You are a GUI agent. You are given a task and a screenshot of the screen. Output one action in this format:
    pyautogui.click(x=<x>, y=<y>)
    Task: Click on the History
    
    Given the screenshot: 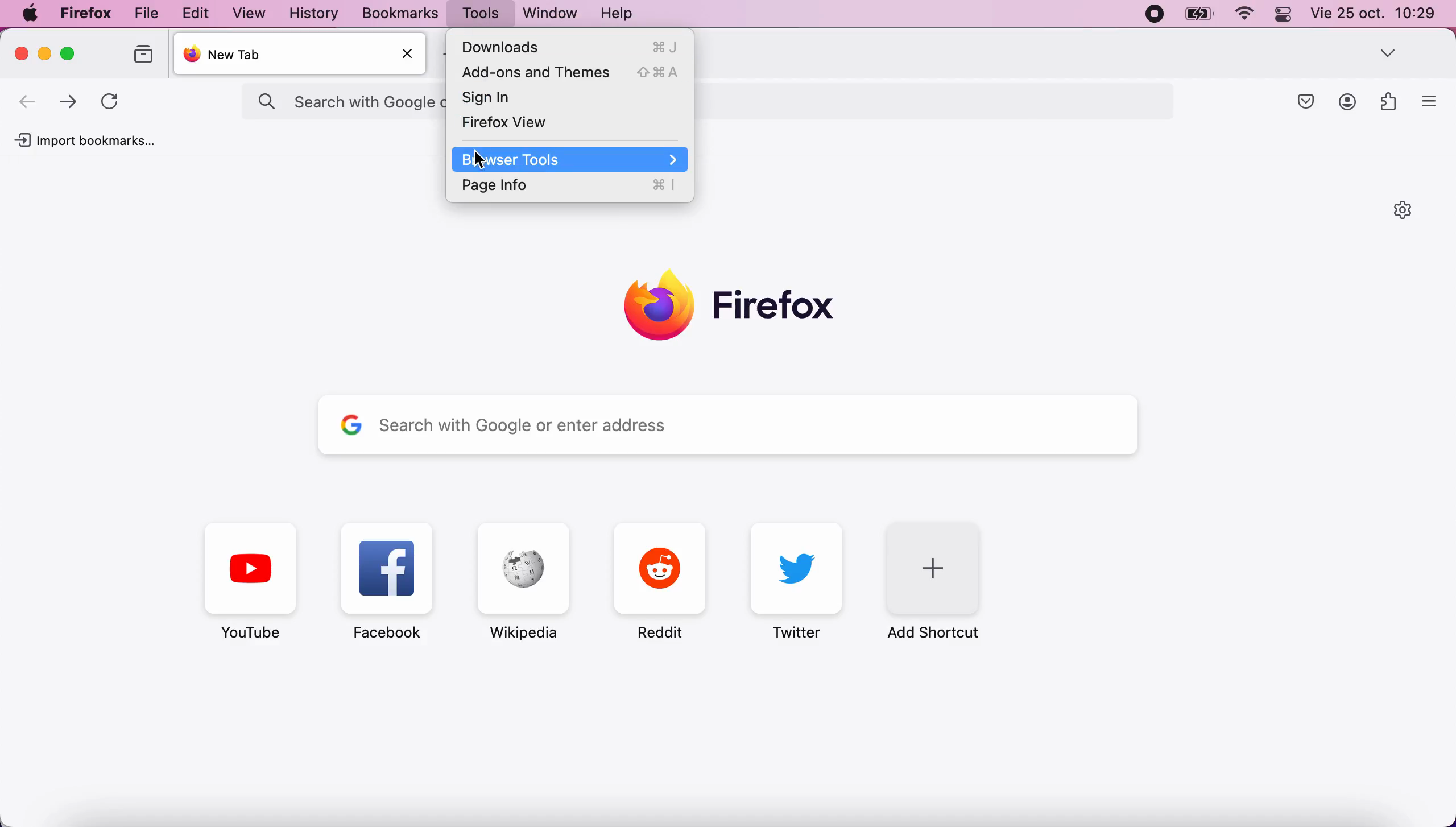 What is the action you would take?
    pyautogui.click(x=315, y=13)
    